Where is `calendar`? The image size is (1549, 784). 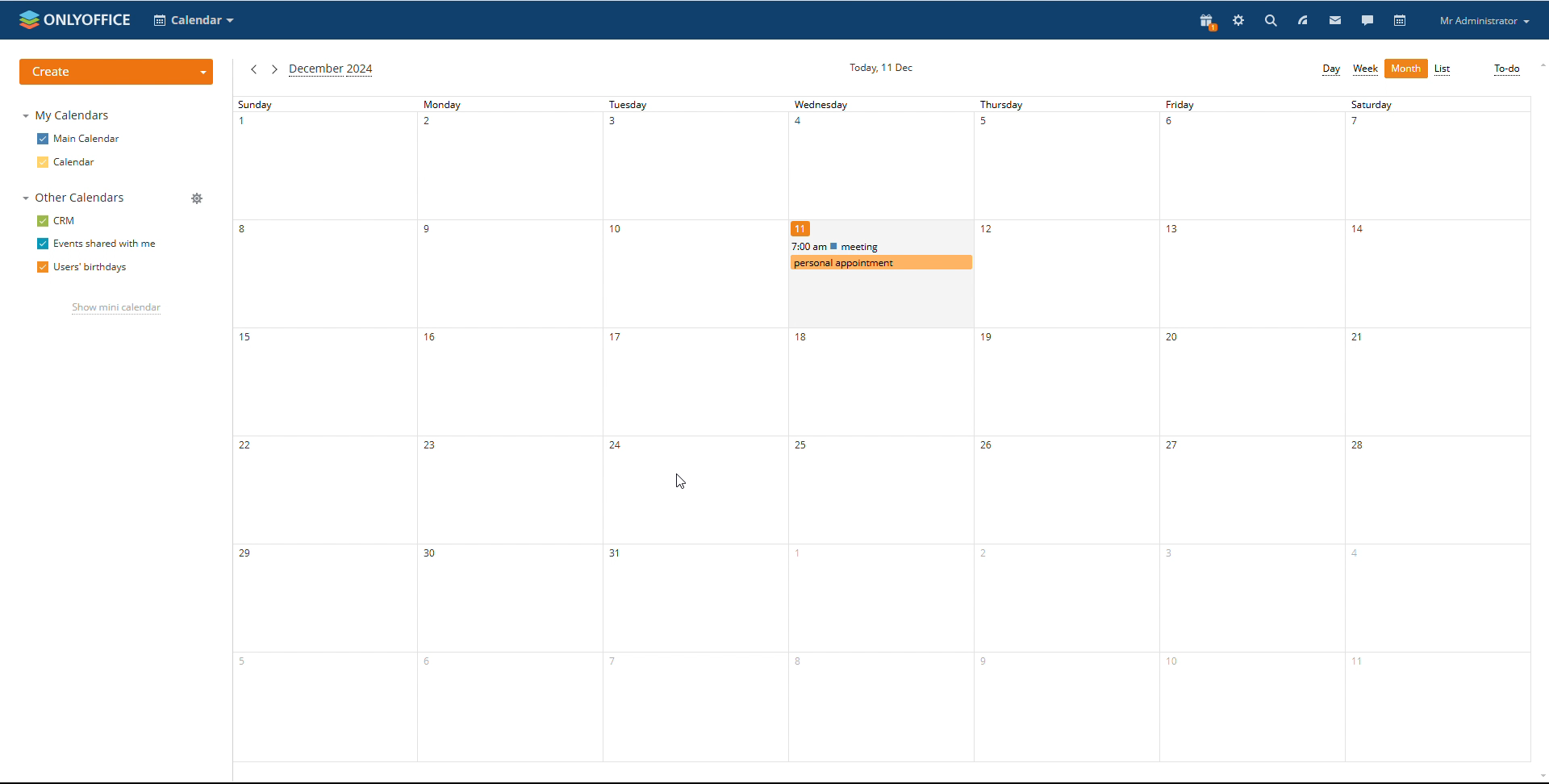 calendar is located at coordinates (1401, 21).